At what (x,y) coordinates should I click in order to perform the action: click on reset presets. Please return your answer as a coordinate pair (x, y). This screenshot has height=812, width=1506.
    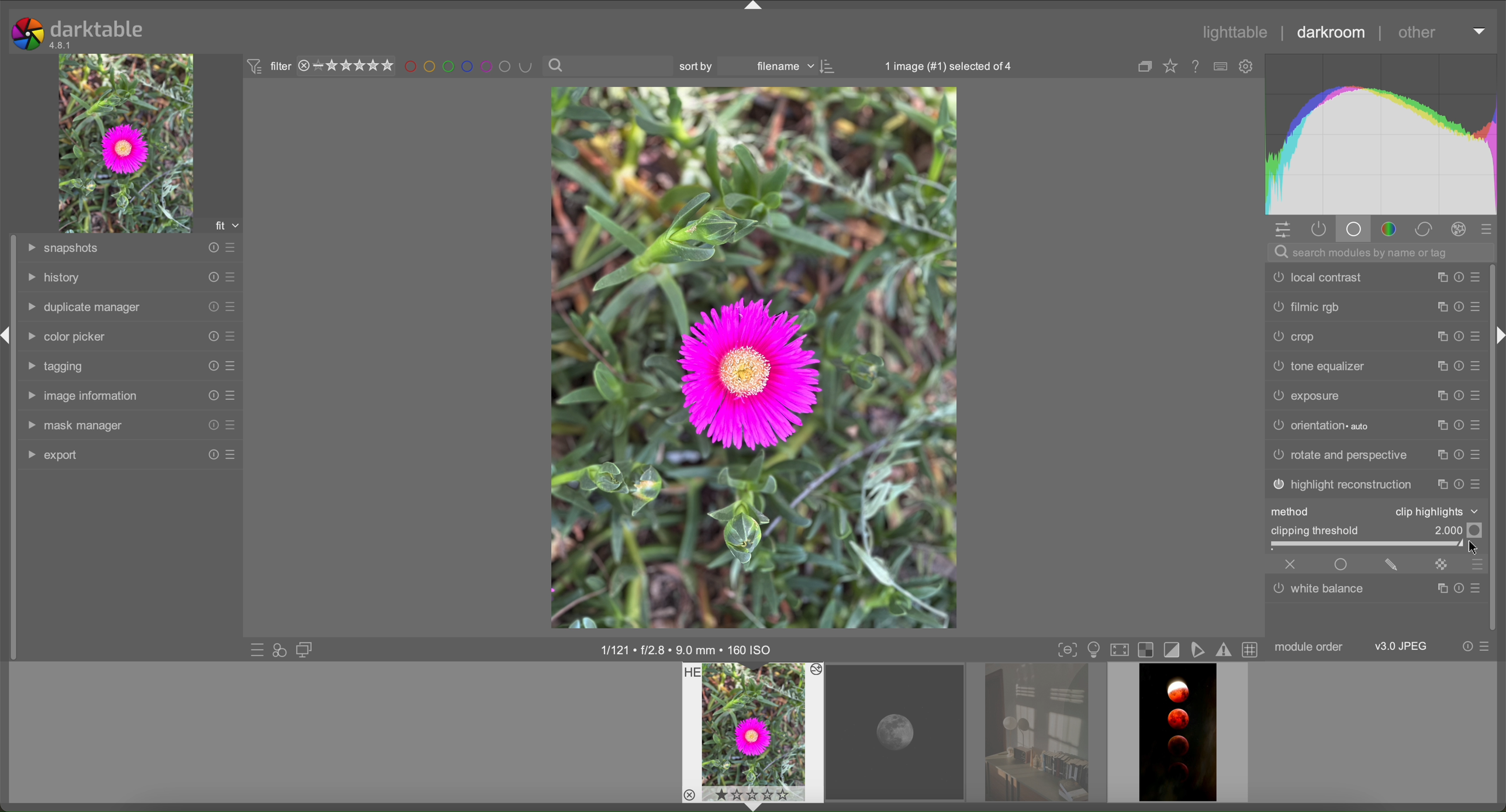
    Looking at the image, I should click on (210, 455).